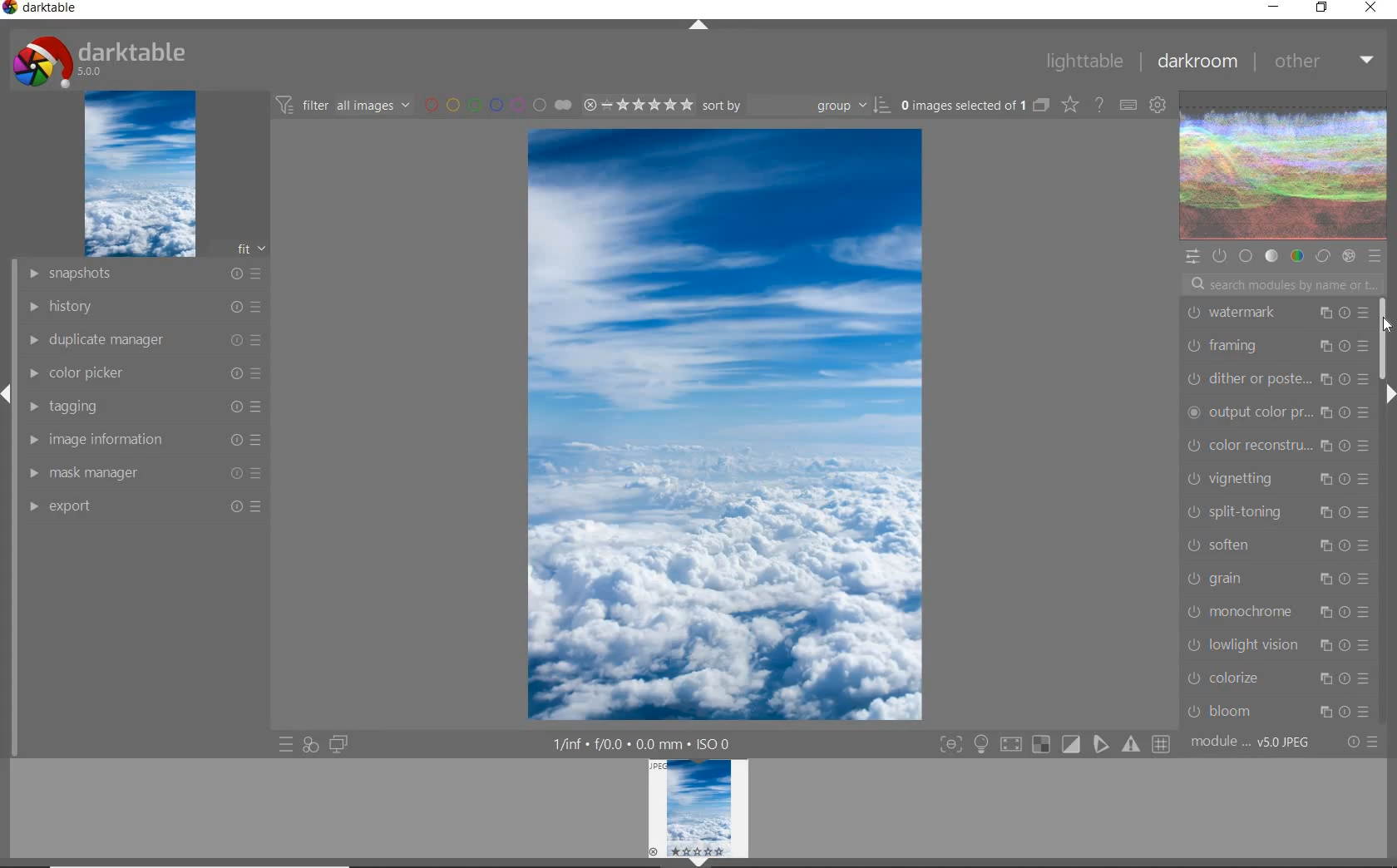 The width and height of the screenshot is (1397, 868). Describe the element at coordinates (794, 106) in the screenshot. I see `sort by group` at that location.